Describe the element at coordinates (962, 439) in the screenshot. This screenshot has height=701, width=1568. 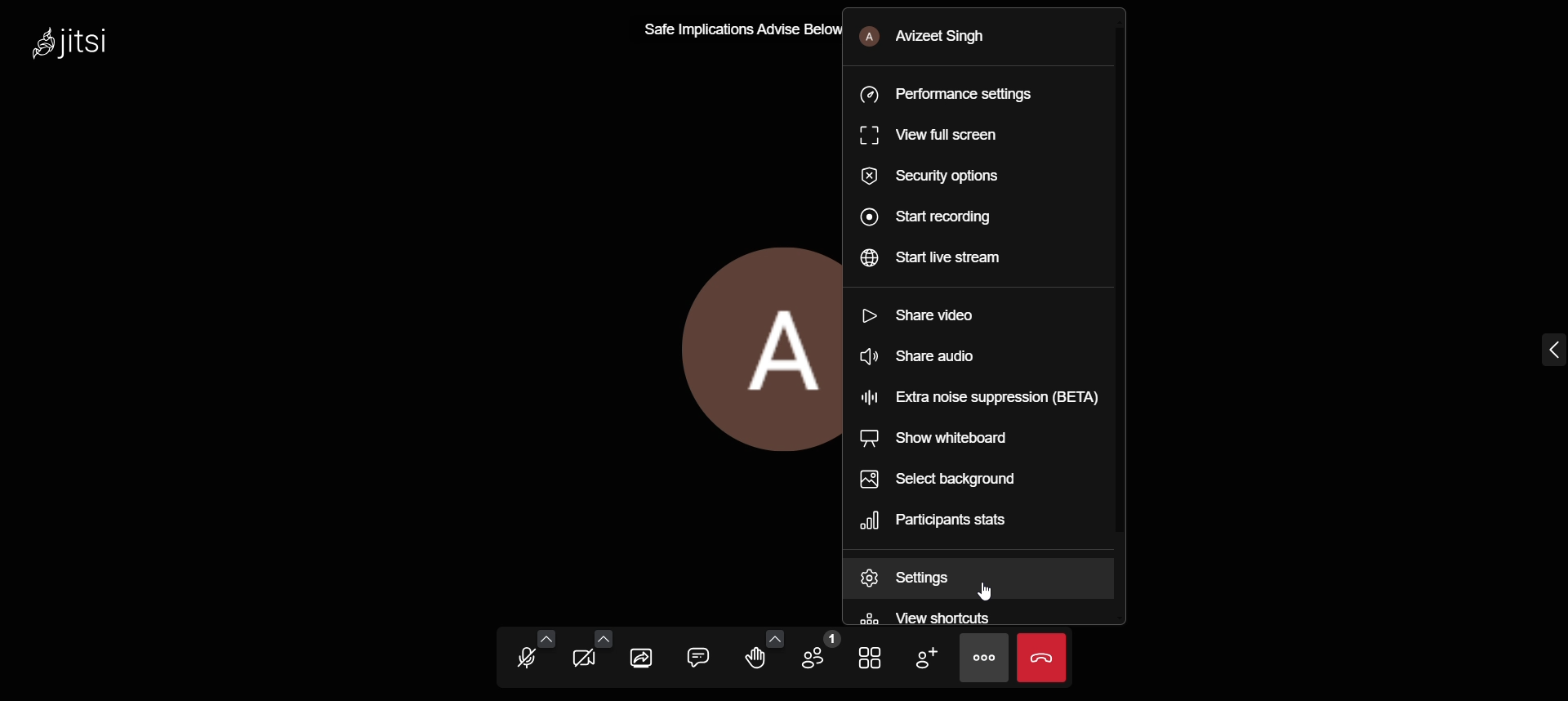
I see `Show Whiteboard` at that location.